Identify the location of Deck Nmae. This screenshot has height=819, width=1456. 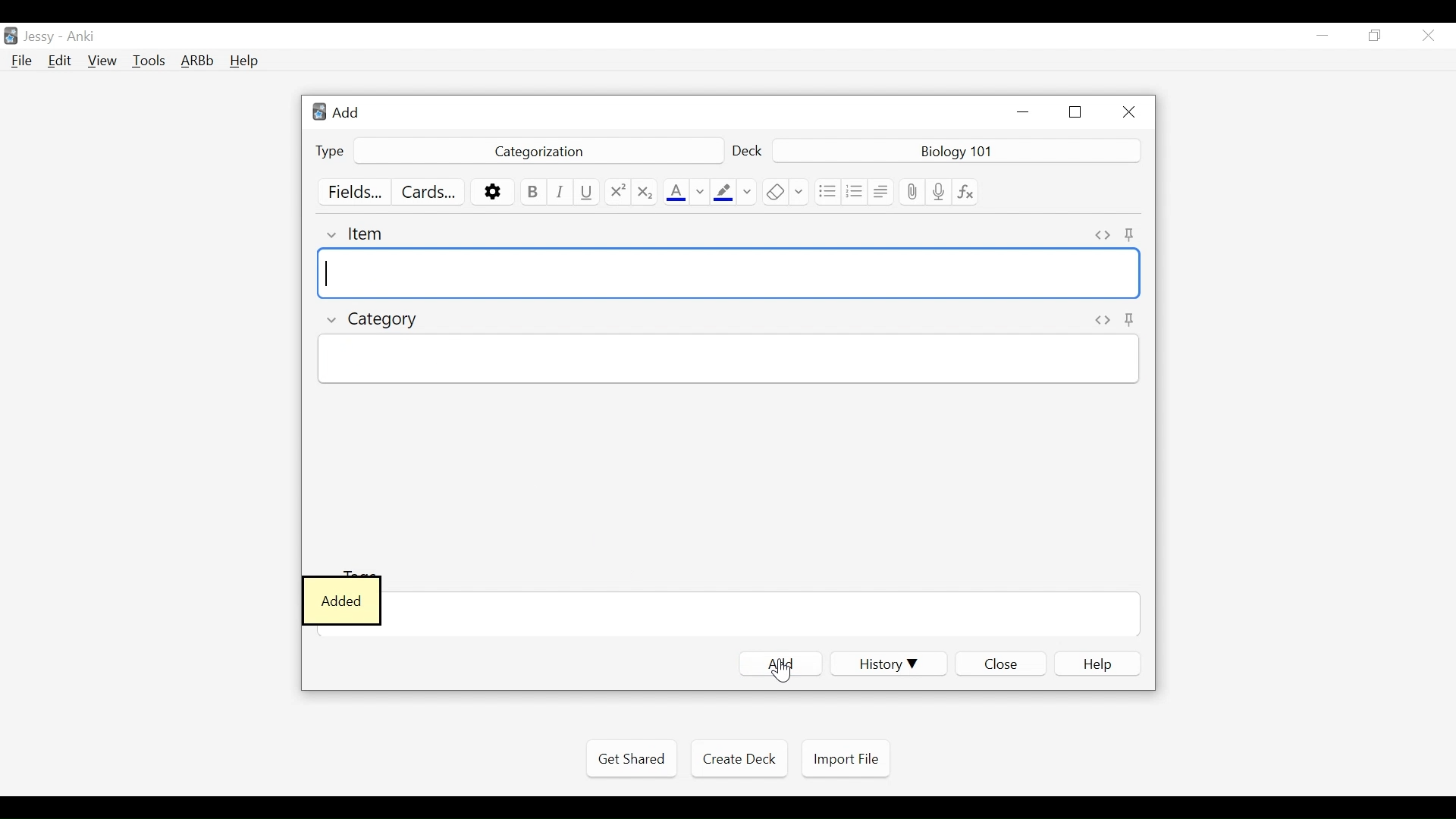
(958, 152).